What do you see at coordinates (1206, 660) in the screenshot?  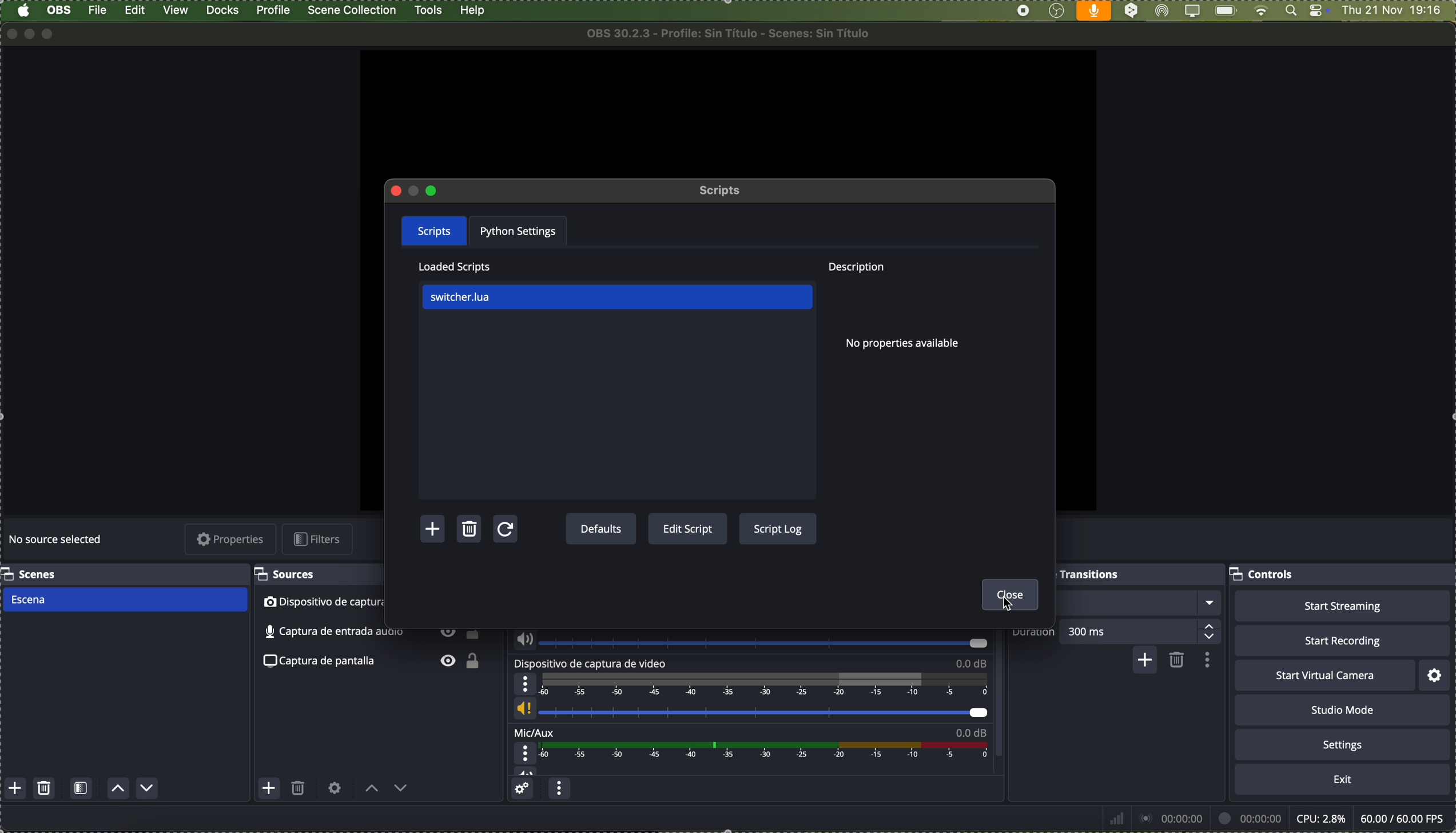 I see `transition properties` at bounding box center [1206, 660].